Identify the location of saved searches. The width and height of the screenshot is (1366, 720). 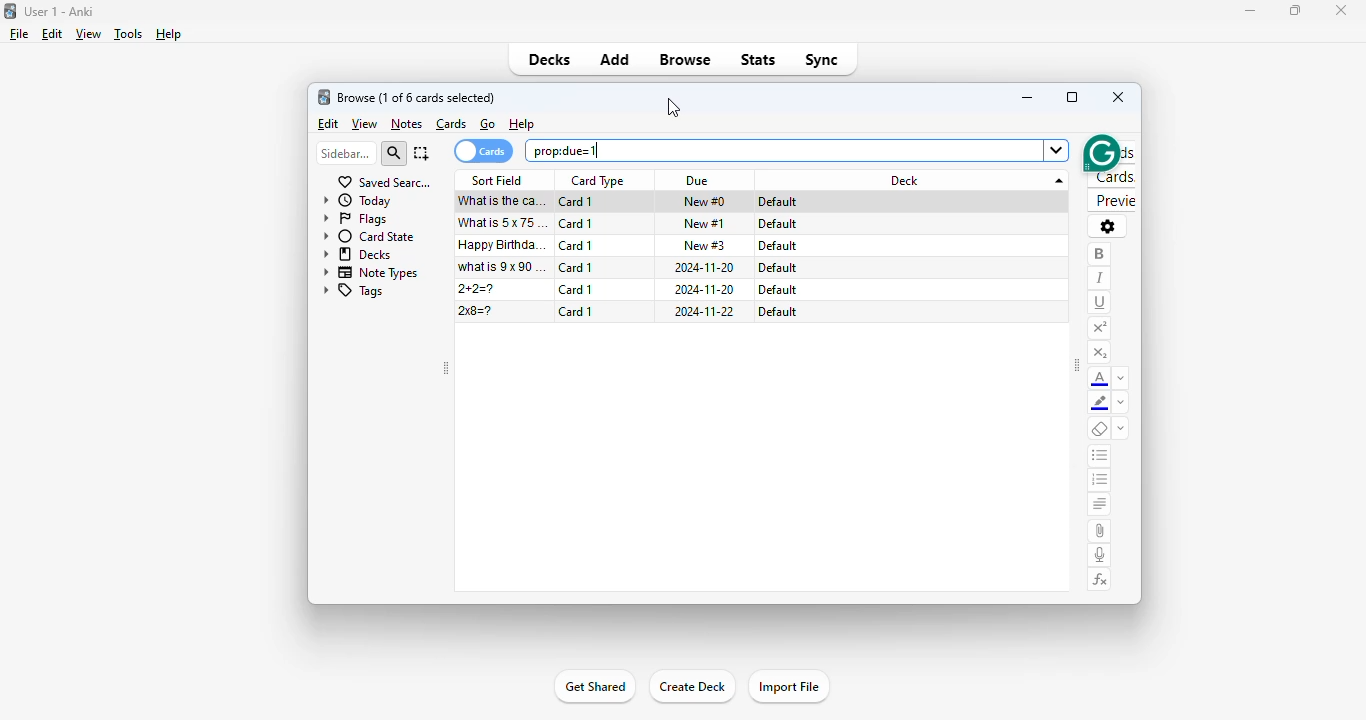
(384, 183).